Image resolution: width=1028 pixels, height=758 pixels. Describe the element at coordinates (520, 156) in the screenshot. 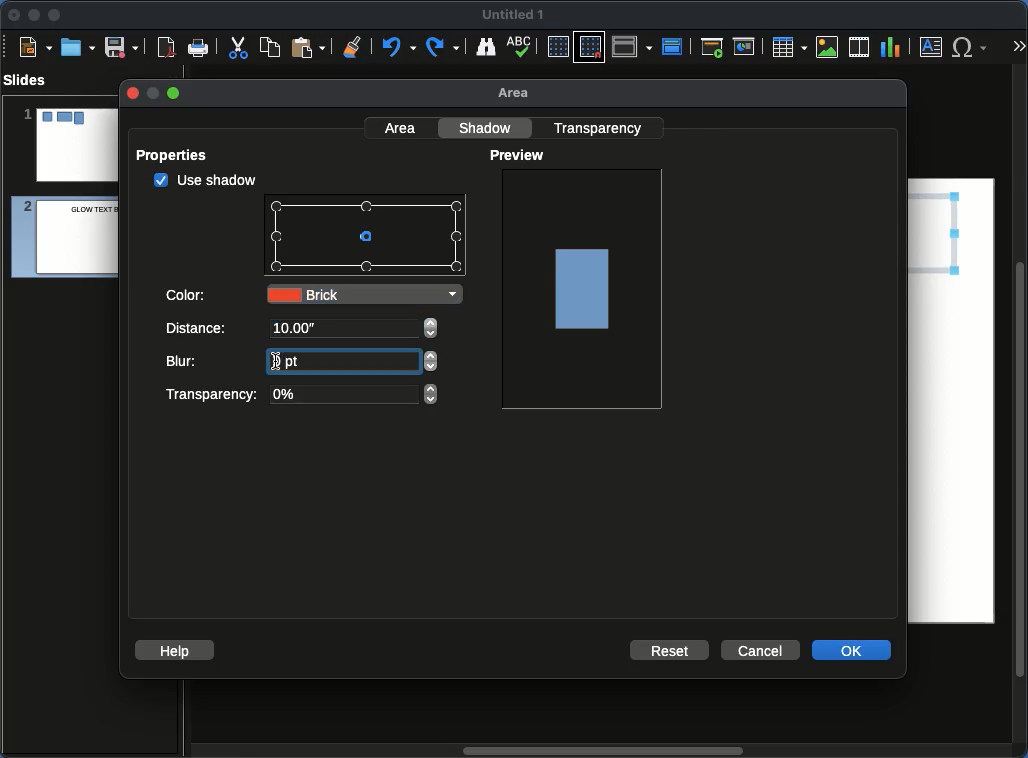

I see `Preview` at that location.